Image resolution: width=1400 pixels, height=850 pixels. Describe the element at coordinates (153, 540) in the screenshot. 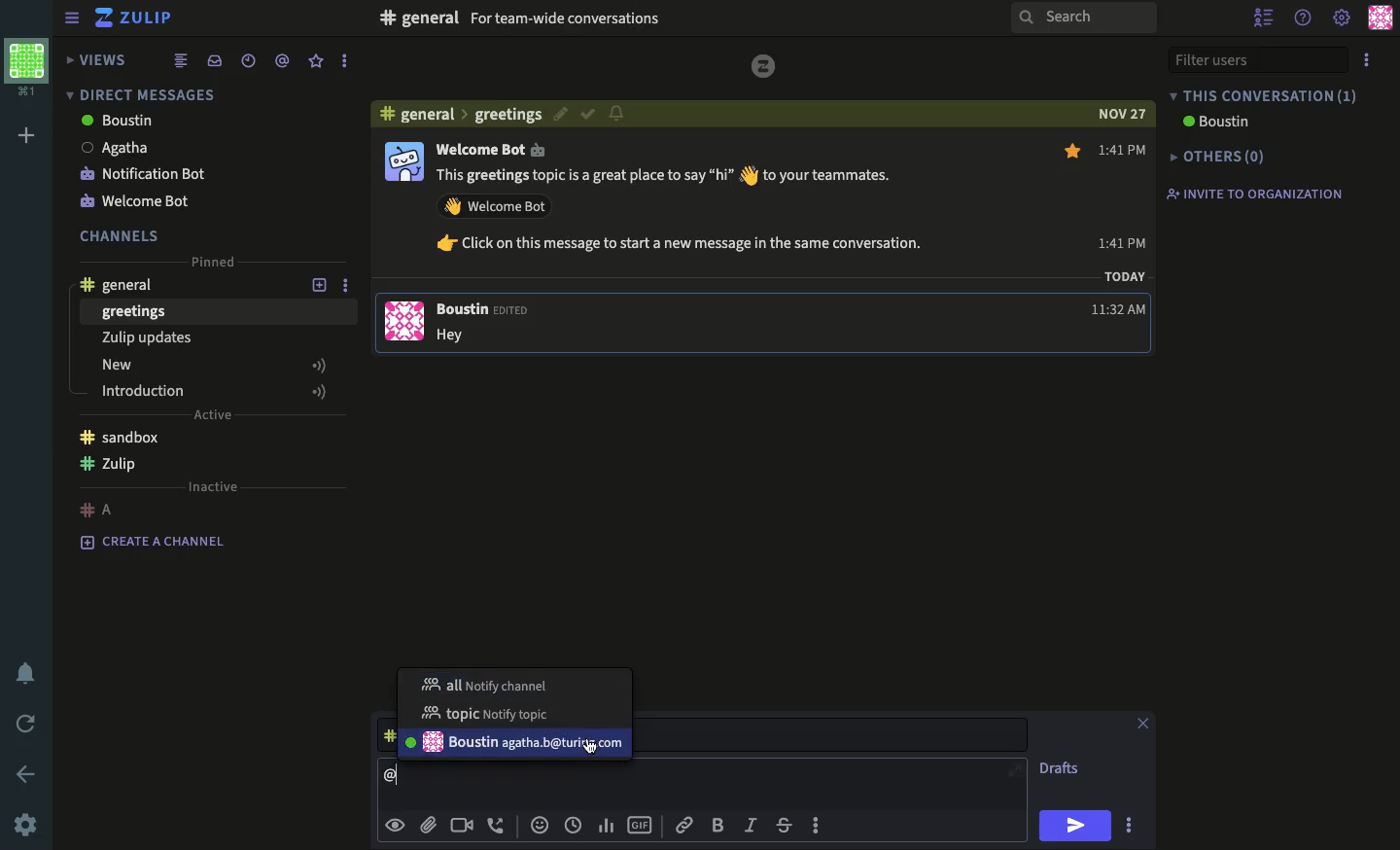

I see `create a channel` at that location.